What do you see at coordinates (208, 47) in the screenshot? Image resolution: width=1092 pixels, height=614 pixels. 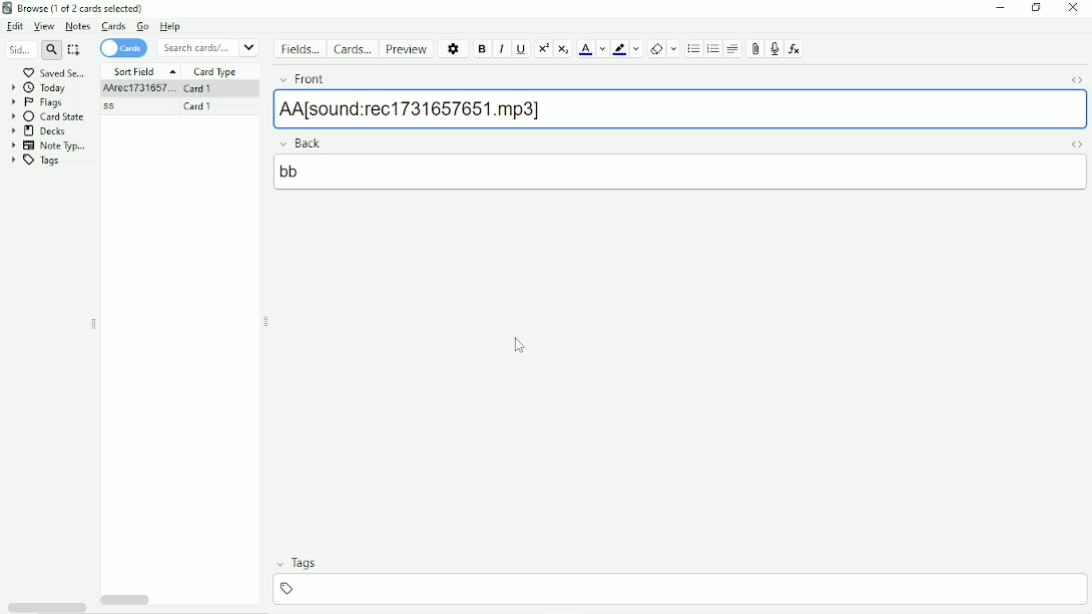 I see `Search cards/notes` at bounding box center [208, 47].